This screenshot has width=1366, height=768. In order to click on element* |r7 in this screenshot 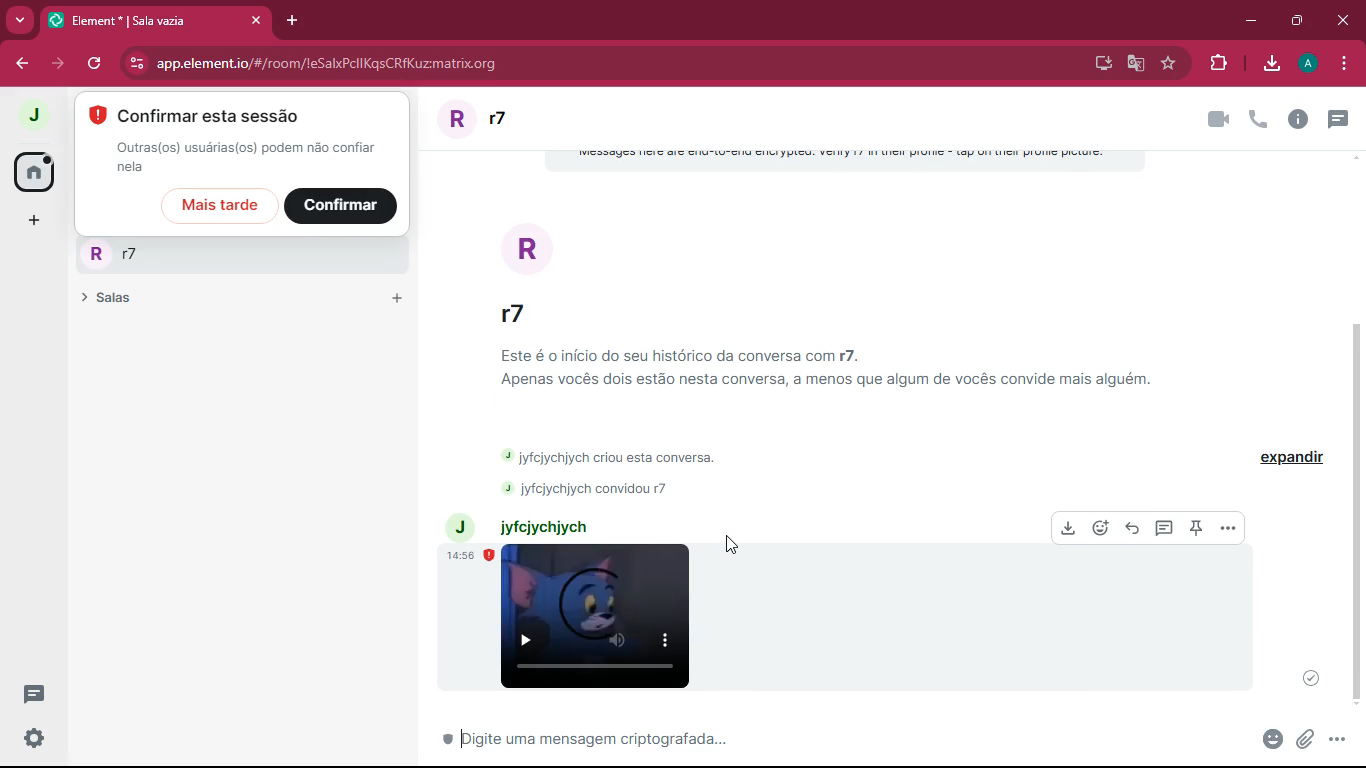, I will do `click(154, 18)`.